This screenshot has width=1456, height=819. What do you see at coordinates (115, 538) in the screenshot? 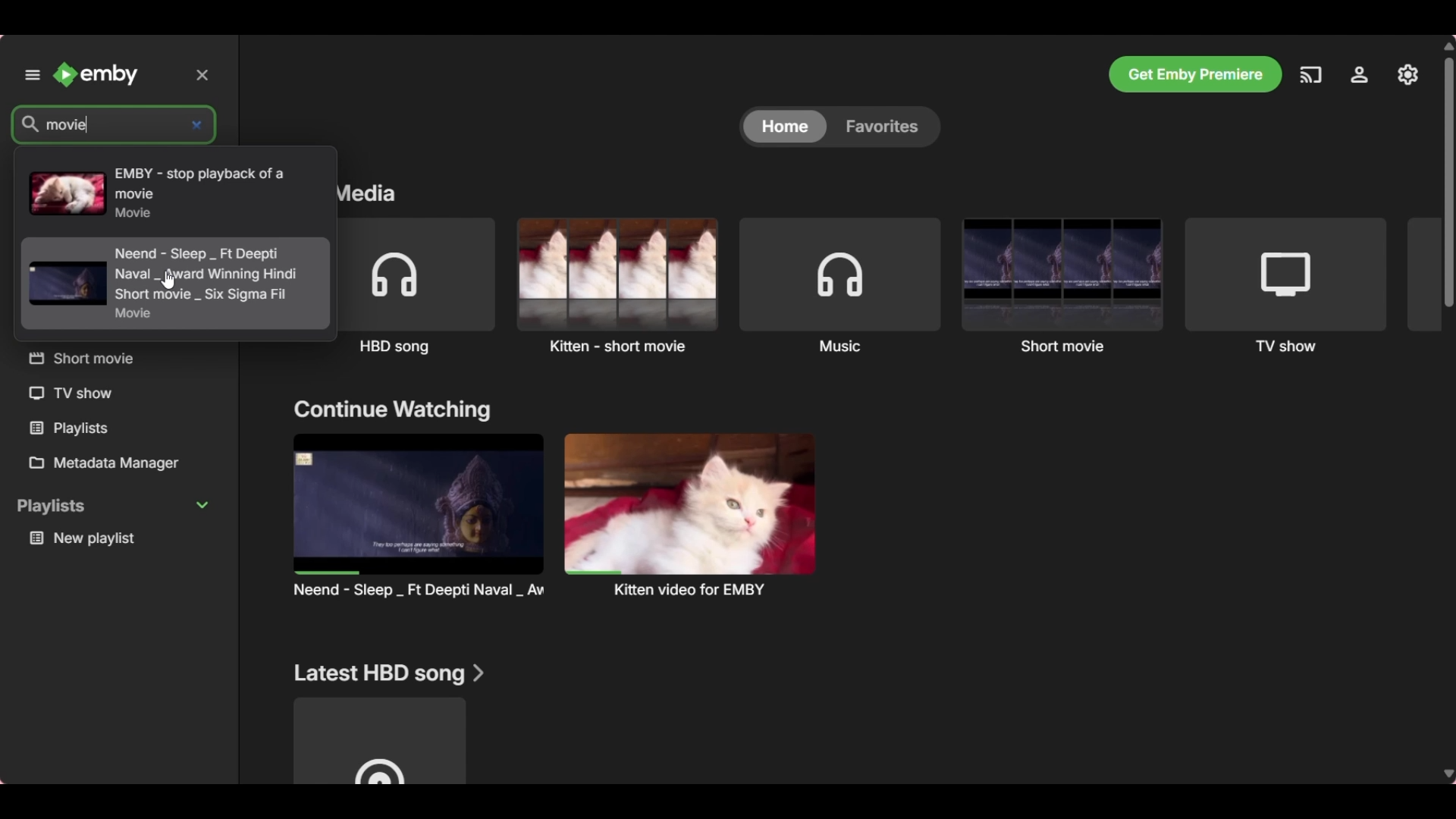
I see `Playlist under Playlists section` at bounding box center [115, 538].